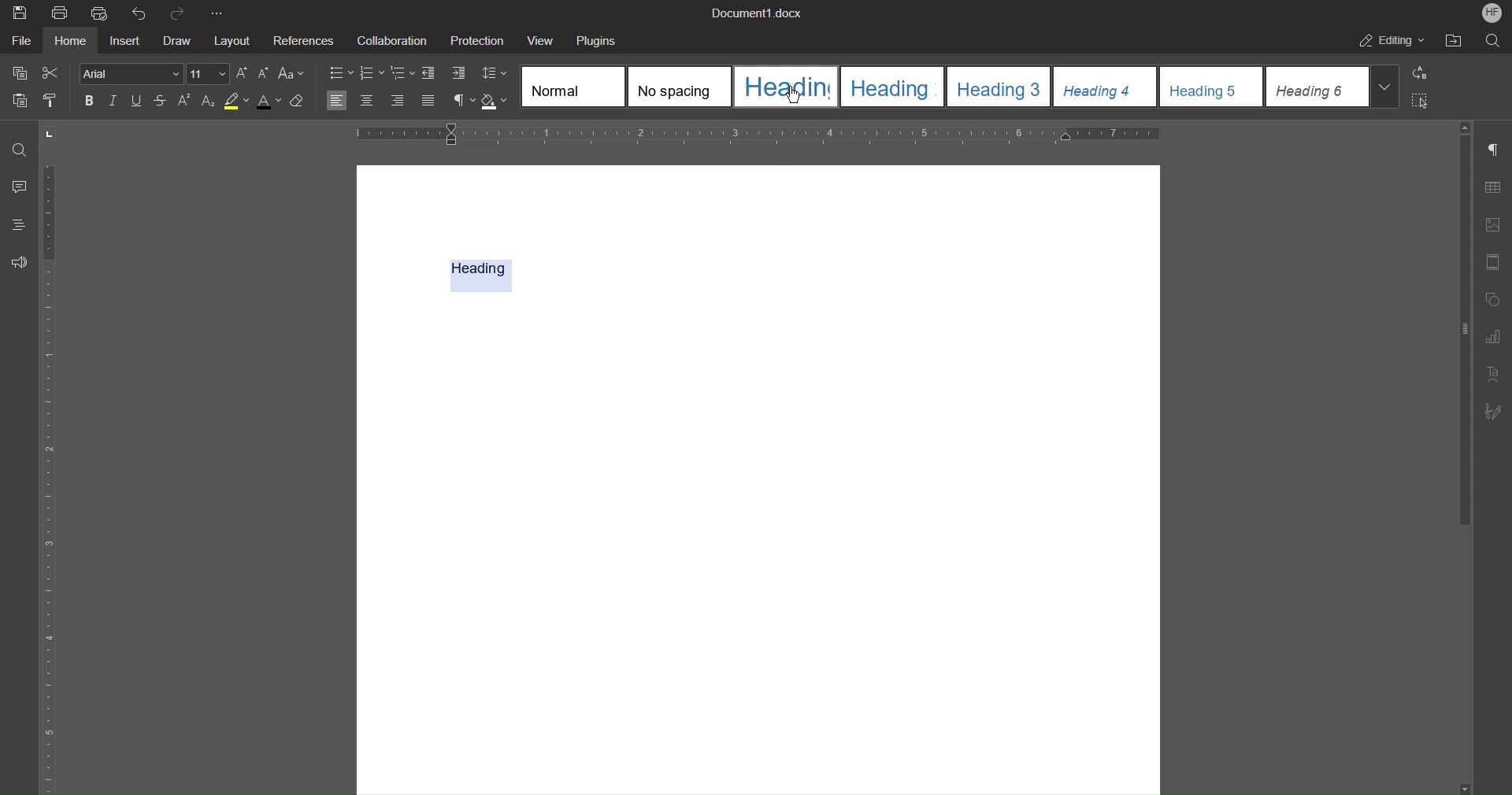 The image size is (1512, 795). Describe the element at coordinates (481, 275) in the screenshot. I see `Heading` at that location.